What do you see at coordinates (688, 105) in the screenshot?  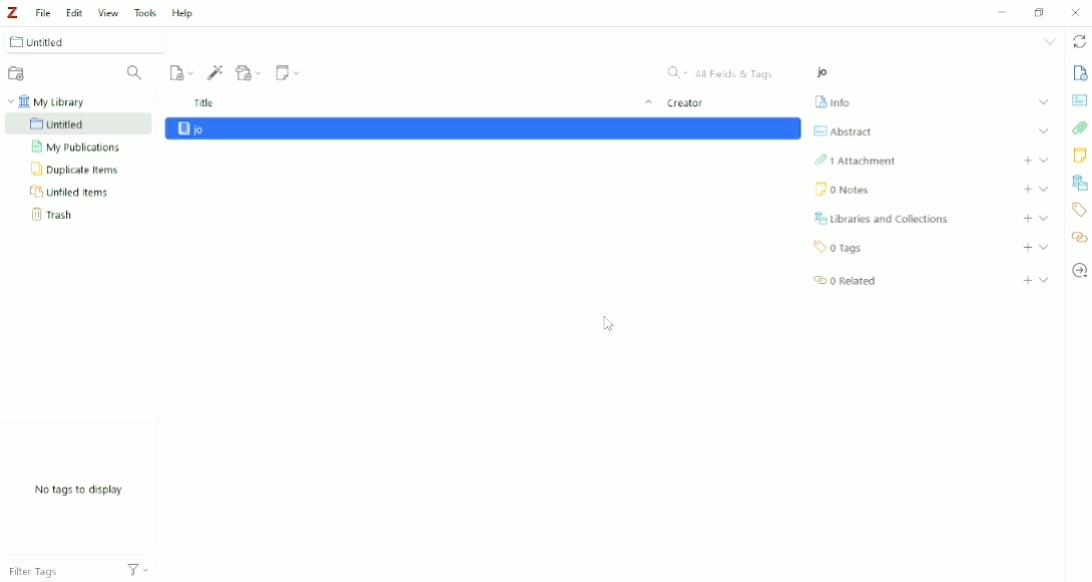 I see `Creator` at bounding box center [688, 105].